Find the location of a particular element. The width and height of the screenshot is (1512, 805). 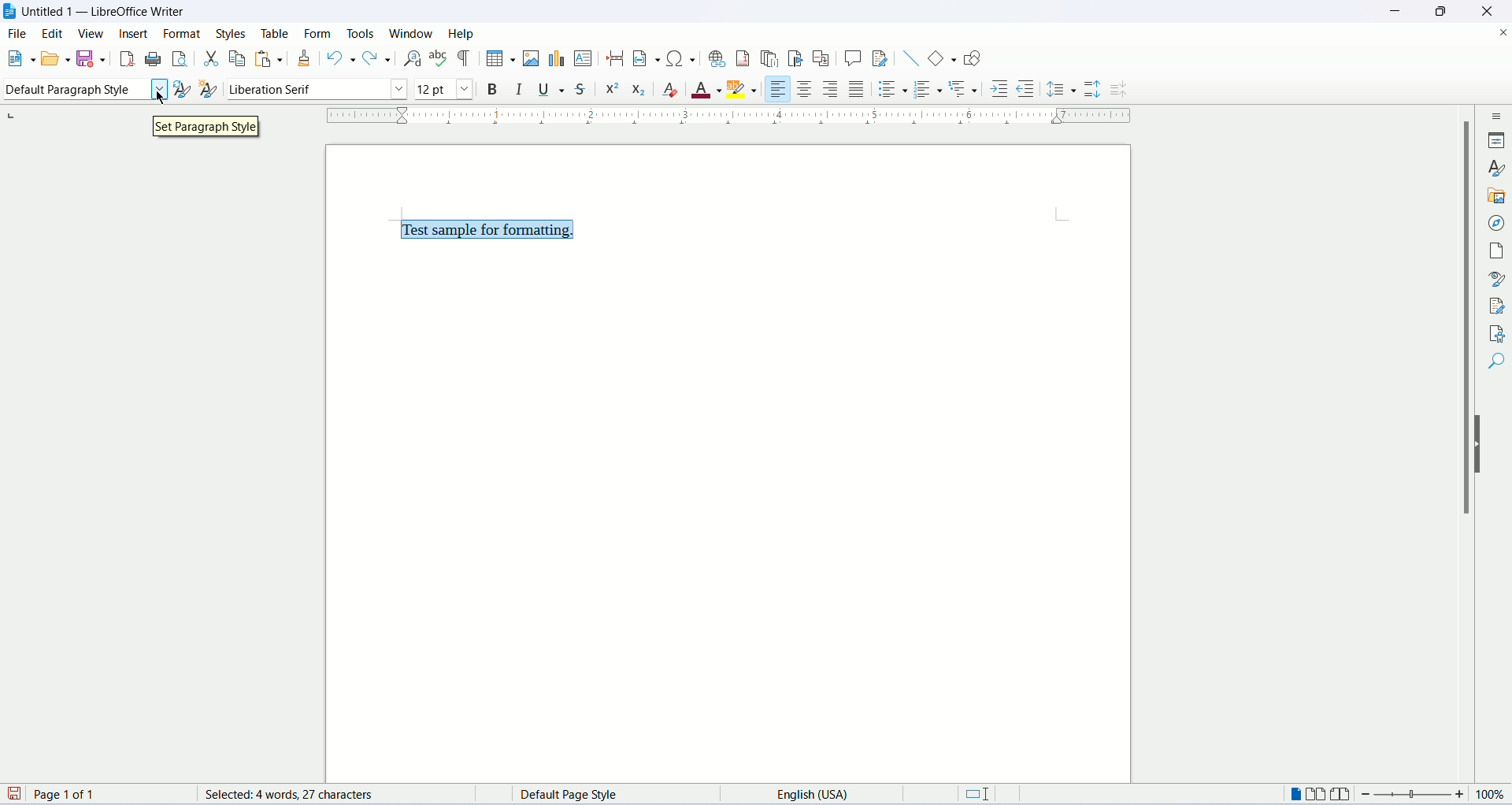

print is located at coordinates (153, 57).